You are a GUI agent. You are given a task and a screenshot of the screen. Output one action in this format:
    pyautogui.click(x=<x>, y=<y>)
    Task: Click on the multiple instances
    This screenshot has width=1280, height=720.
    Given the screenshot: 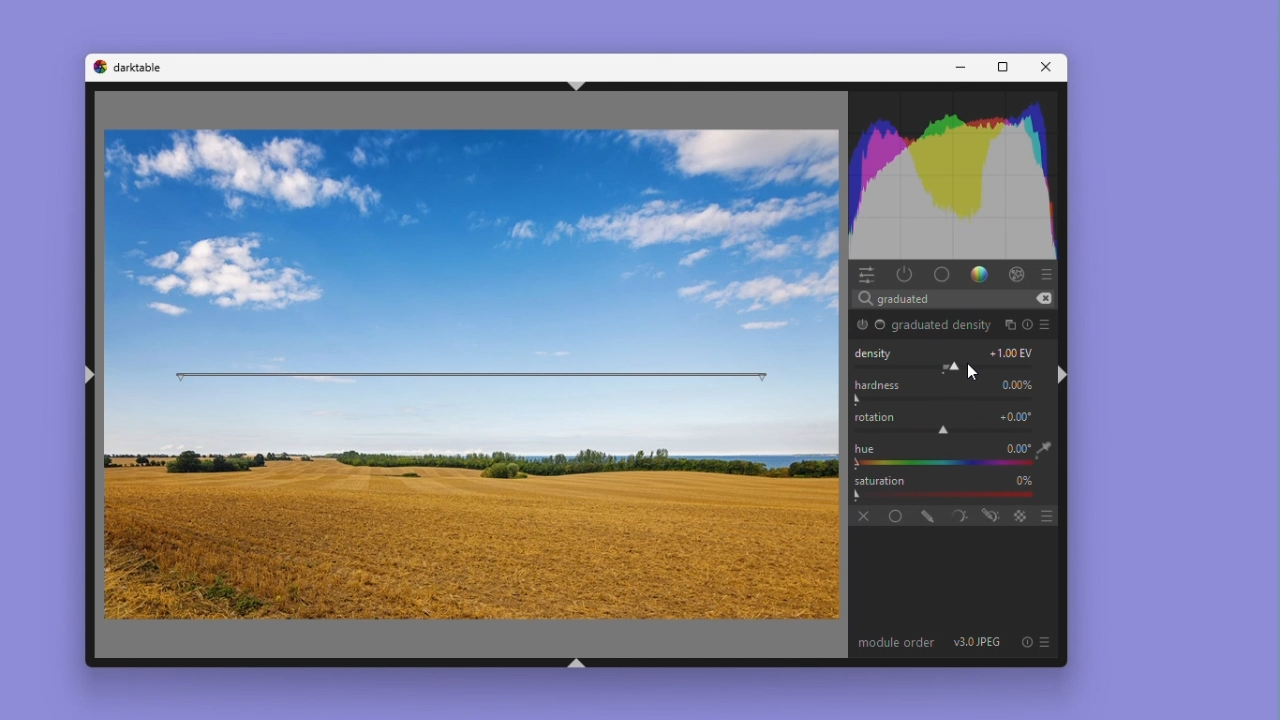 What is the action you would take?
    pyautogui.click(x=1009, y=323)
    